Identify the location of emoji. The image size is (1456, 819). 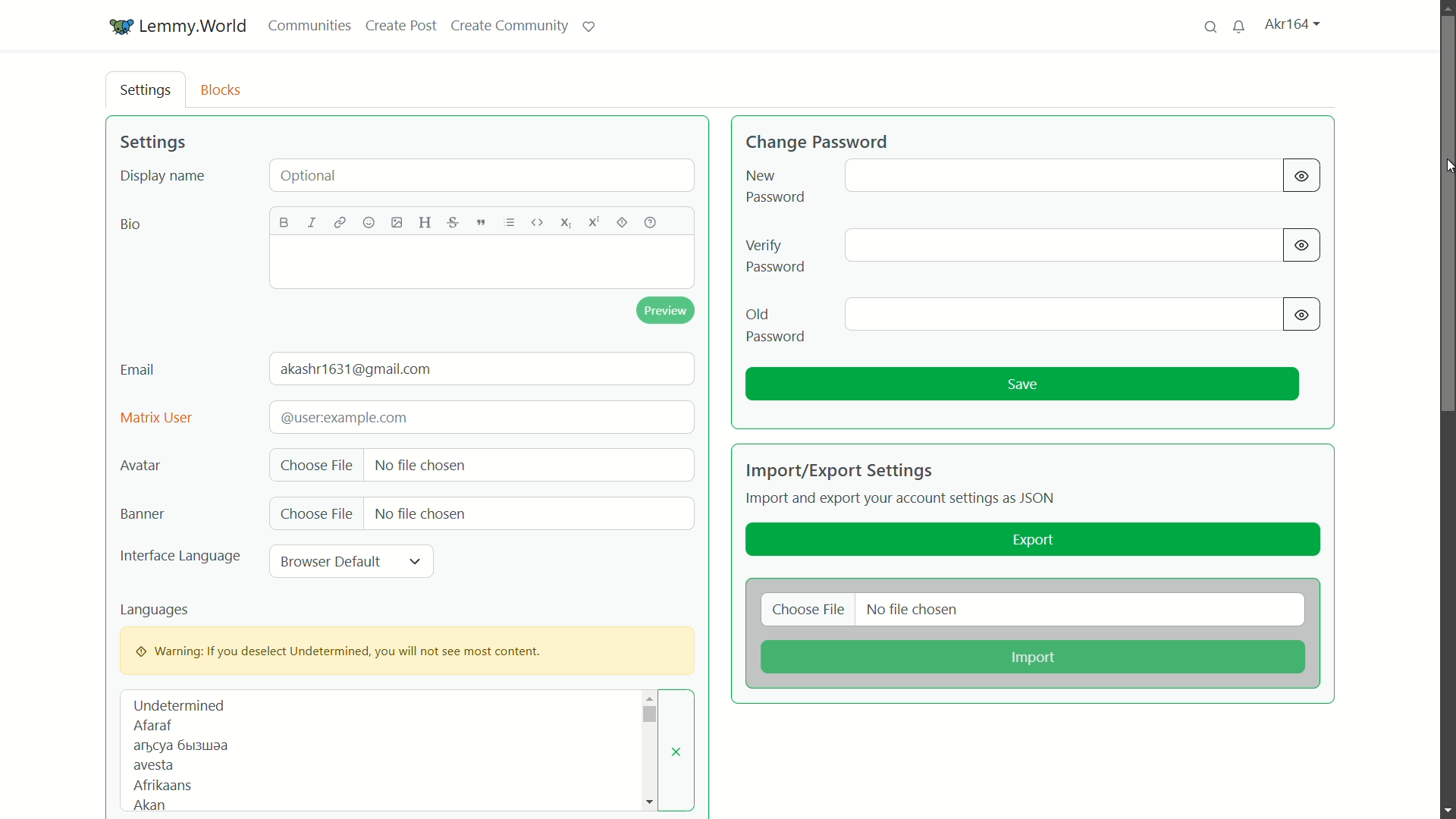
(371, 223).